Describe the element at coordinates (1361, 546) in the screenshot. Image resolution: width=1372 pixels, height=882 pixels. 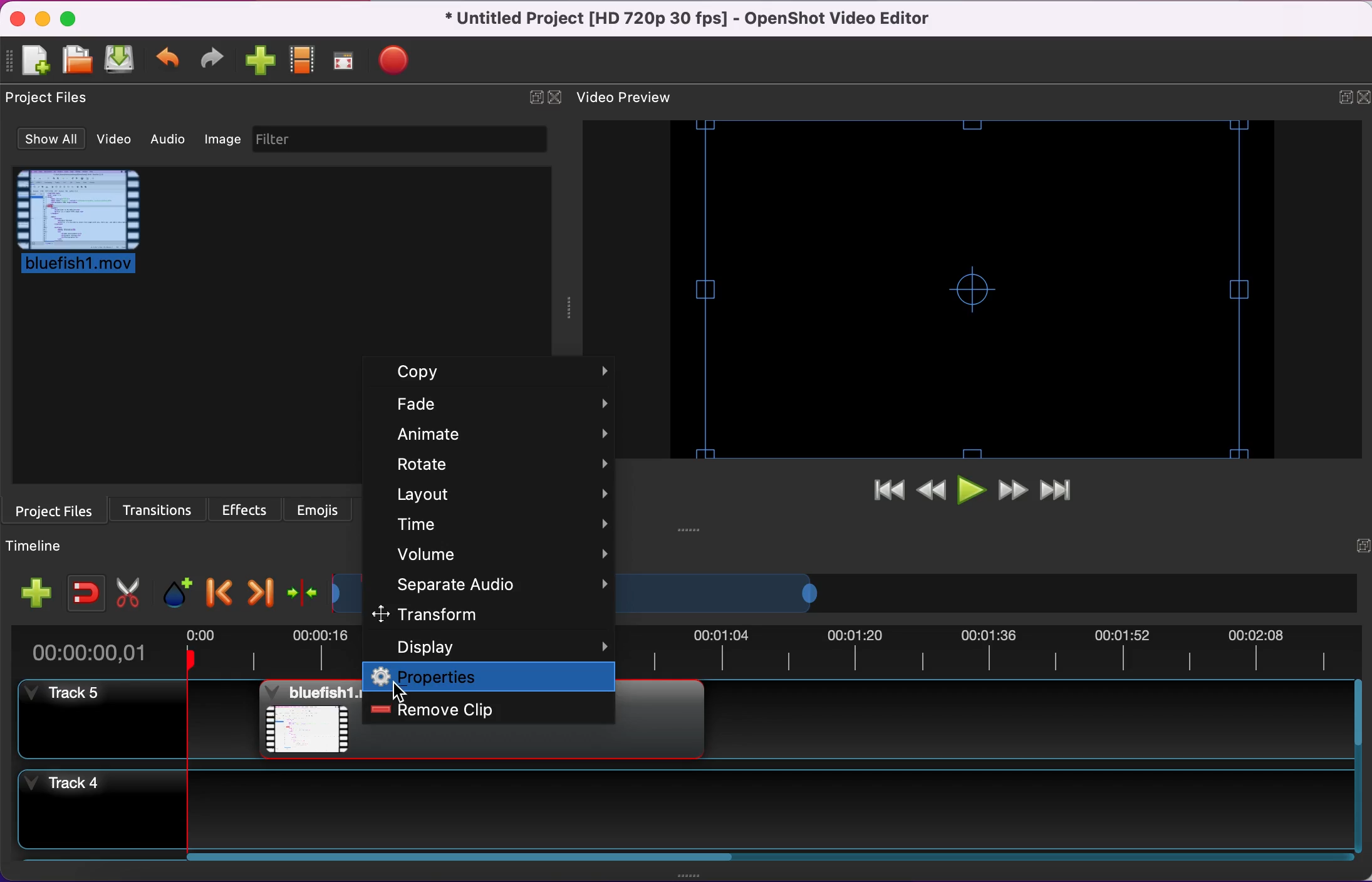
I see `expand/hide` at that location.